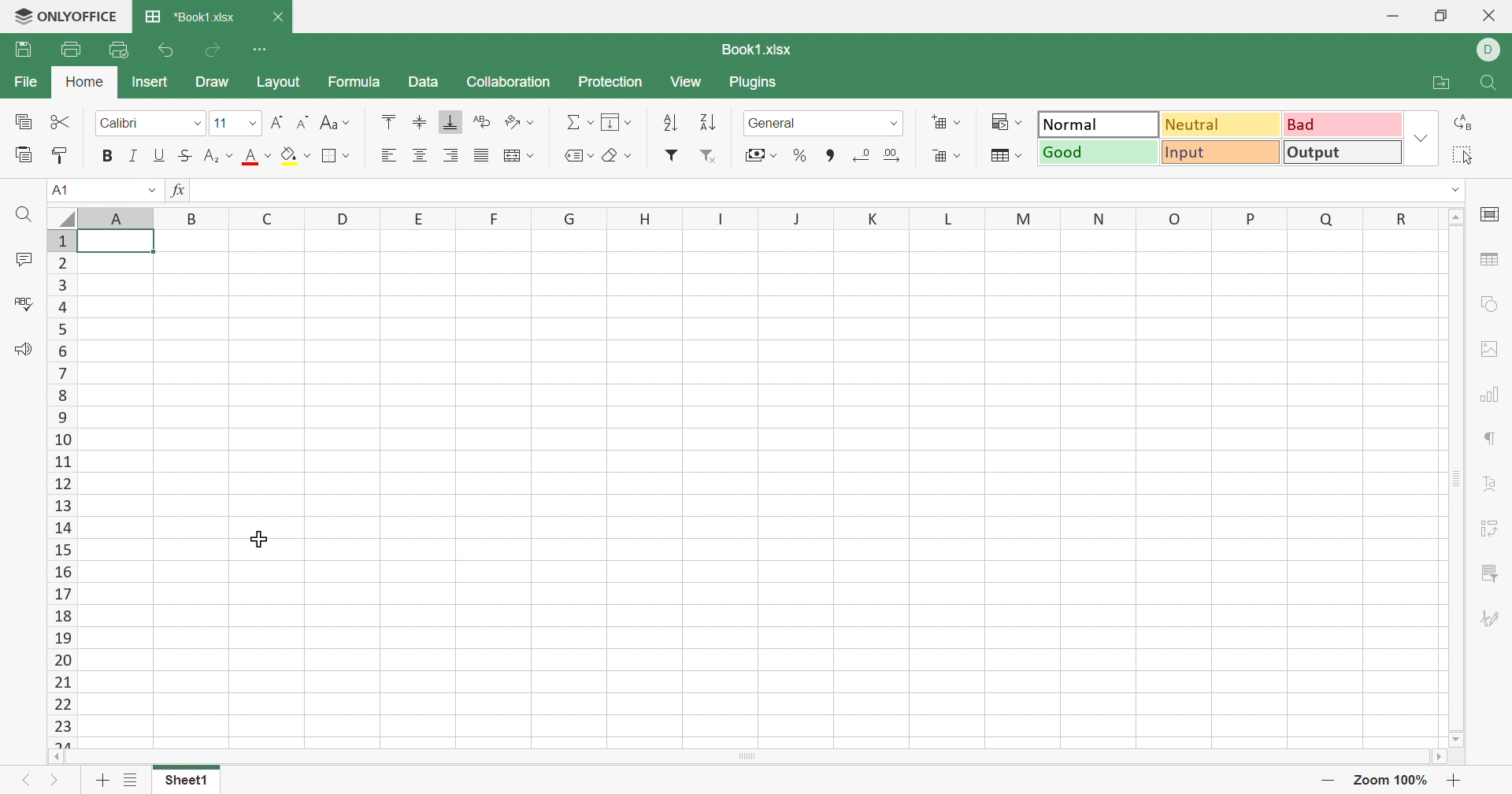 This screenshot has width=1512, height=794. Describe the element at coordinates (22, 80) in the screenshot. I see `File` at that location.